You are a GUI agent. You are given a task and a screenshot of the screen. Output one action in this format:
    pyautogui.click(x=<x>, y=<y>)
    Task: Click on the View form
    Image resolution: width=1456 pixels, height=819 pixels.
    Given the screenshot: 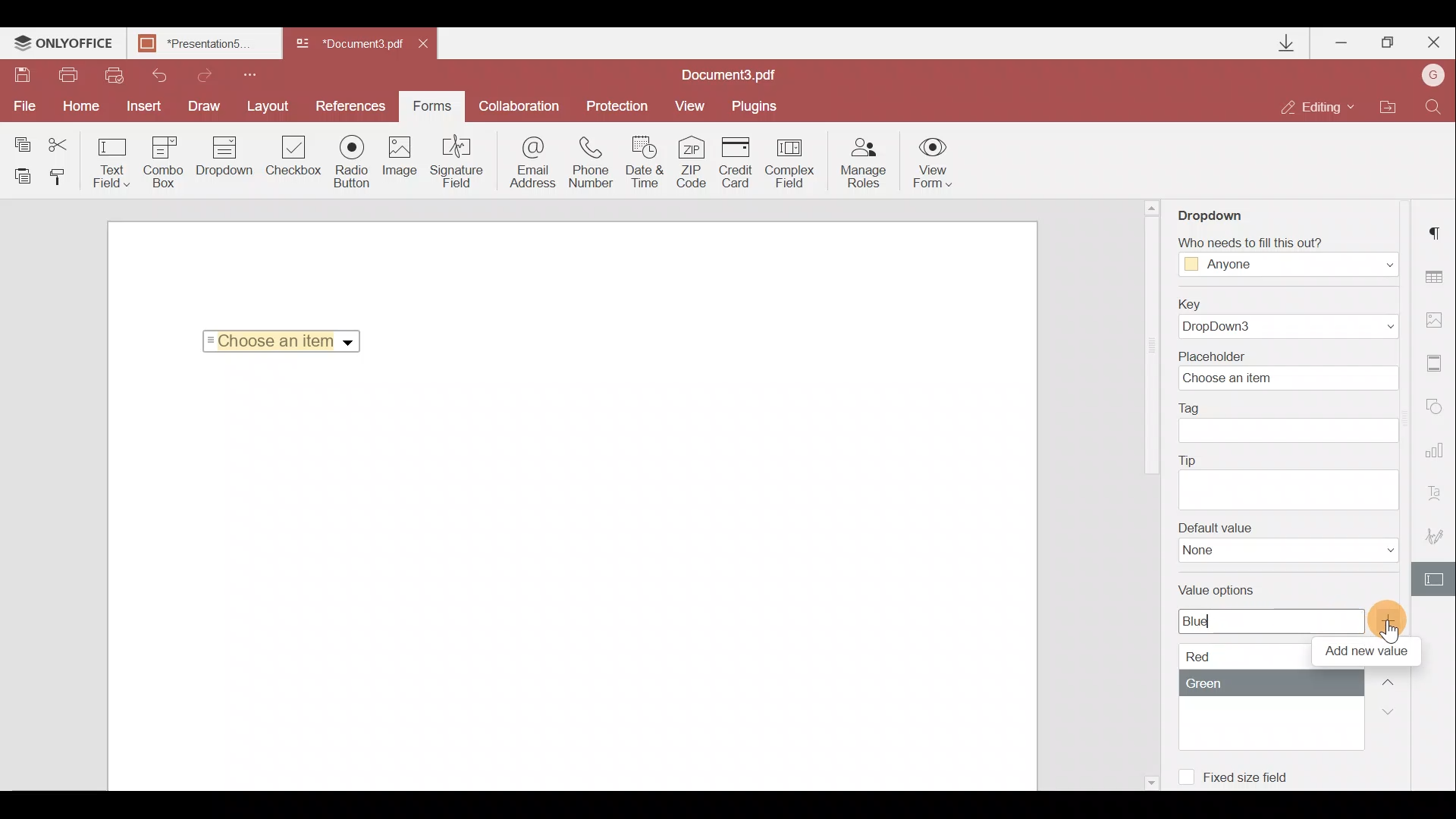 What is the action you would take?
    pyautogui.click(x=931, y=162)
    